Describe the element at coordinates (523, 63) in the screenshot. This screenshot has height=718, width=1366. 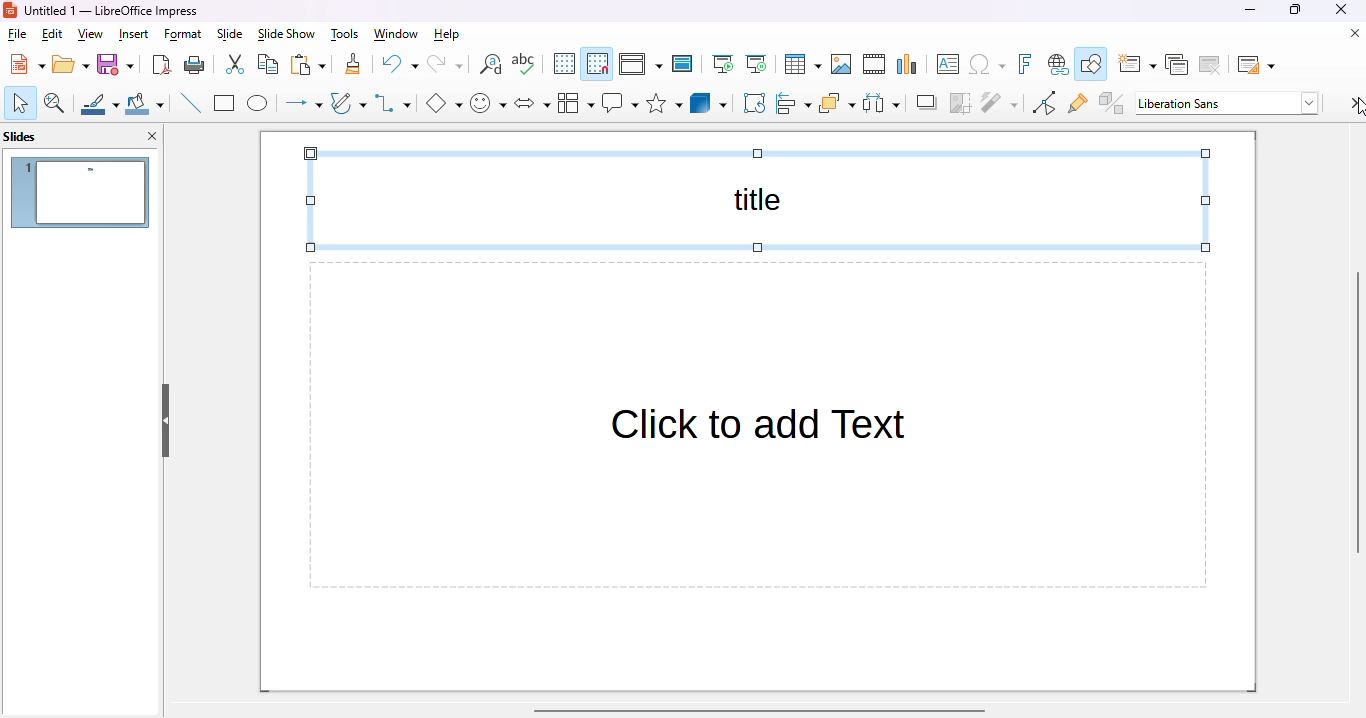
I see `check spelling` at that location.